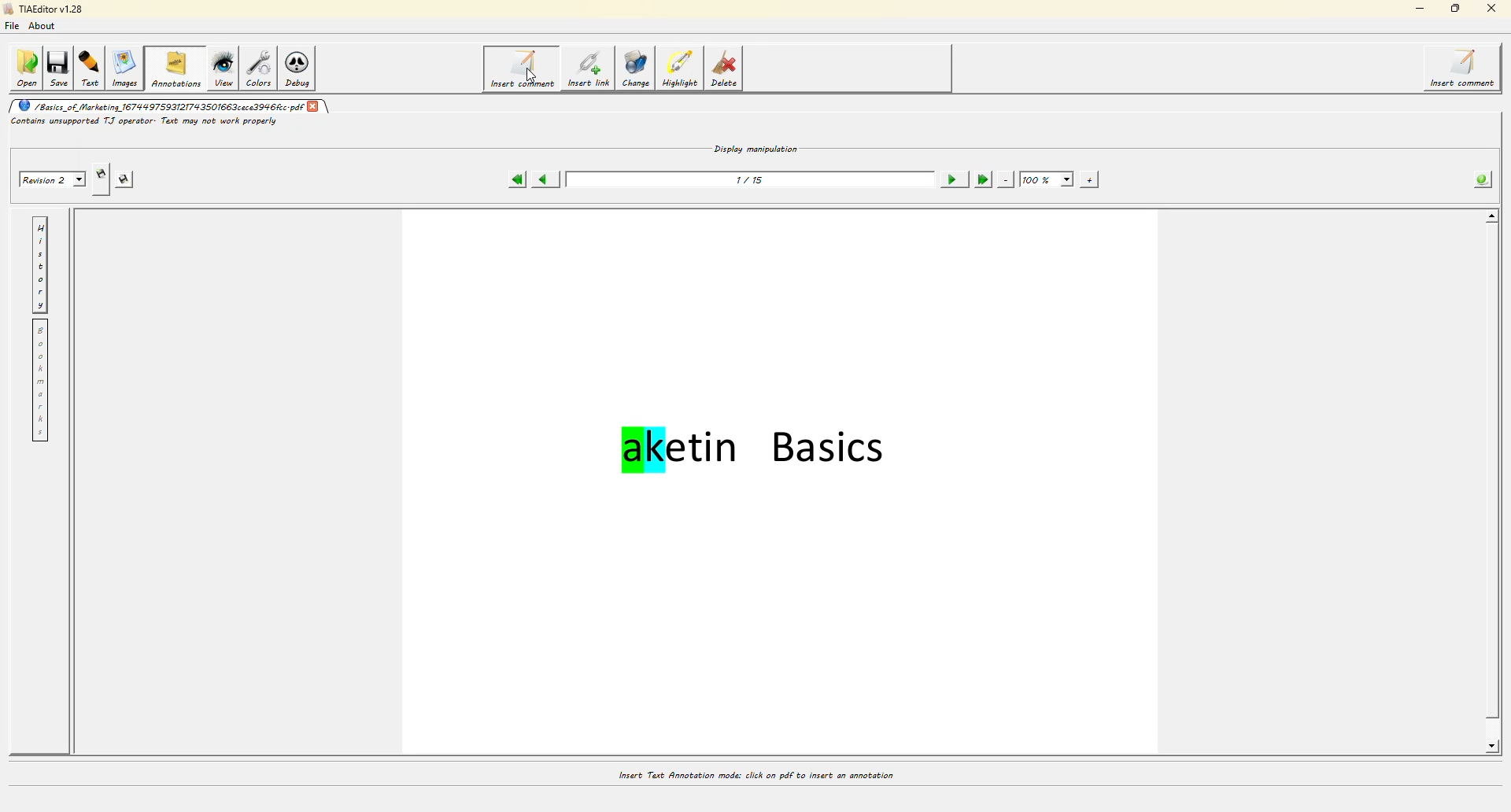  What do you see at coordinates (14, 24) in the screenshot?
I see `file` at bounding box center [14, 24].